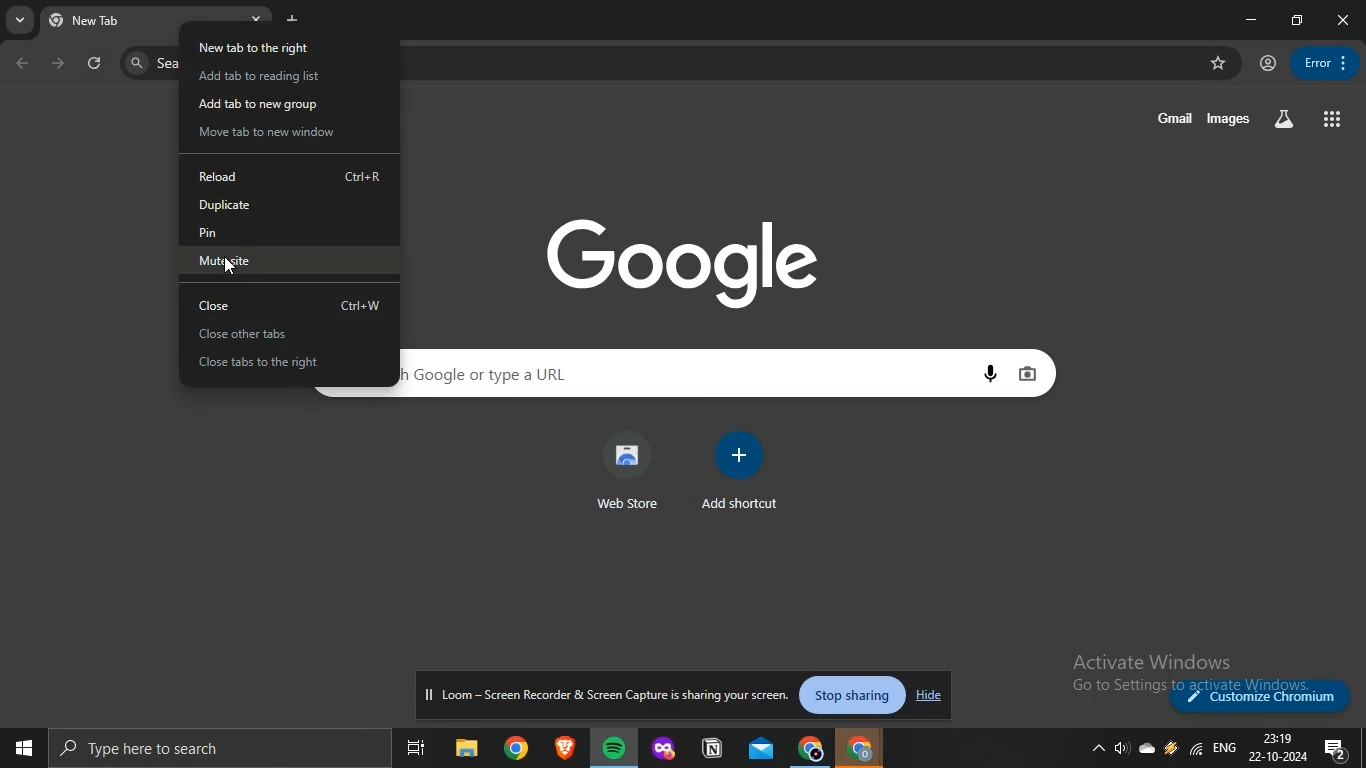 The image size is (1366, 768). I want to click on outlook, so click(763, 748).